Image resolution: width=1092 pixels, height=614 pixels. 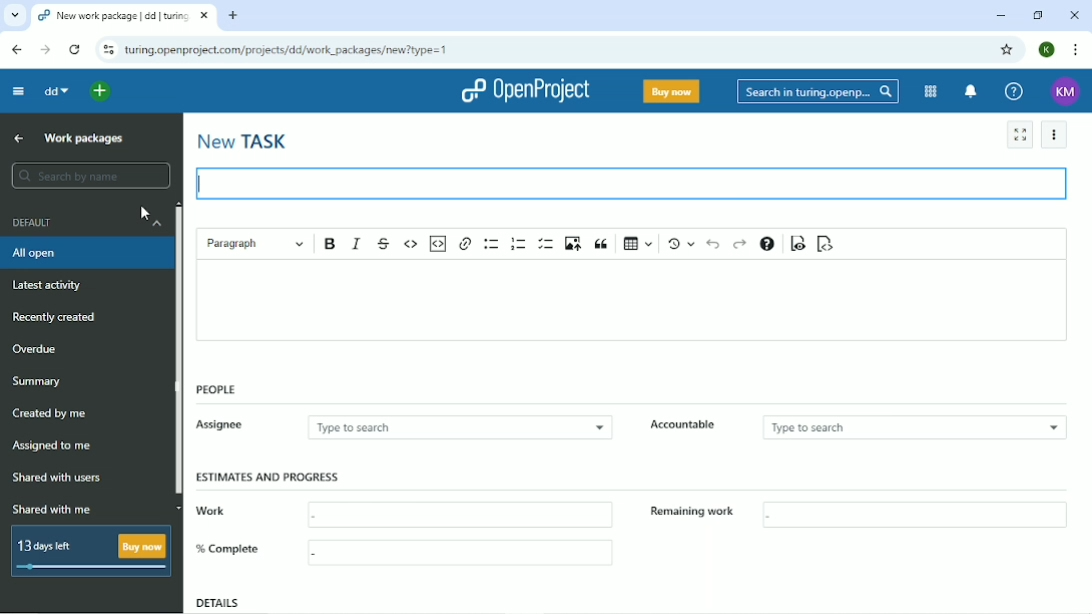 What do you see at coordinates (573, 244) in the screenshot?
I see `Upload image from computer` at bounding box center [573, 244].